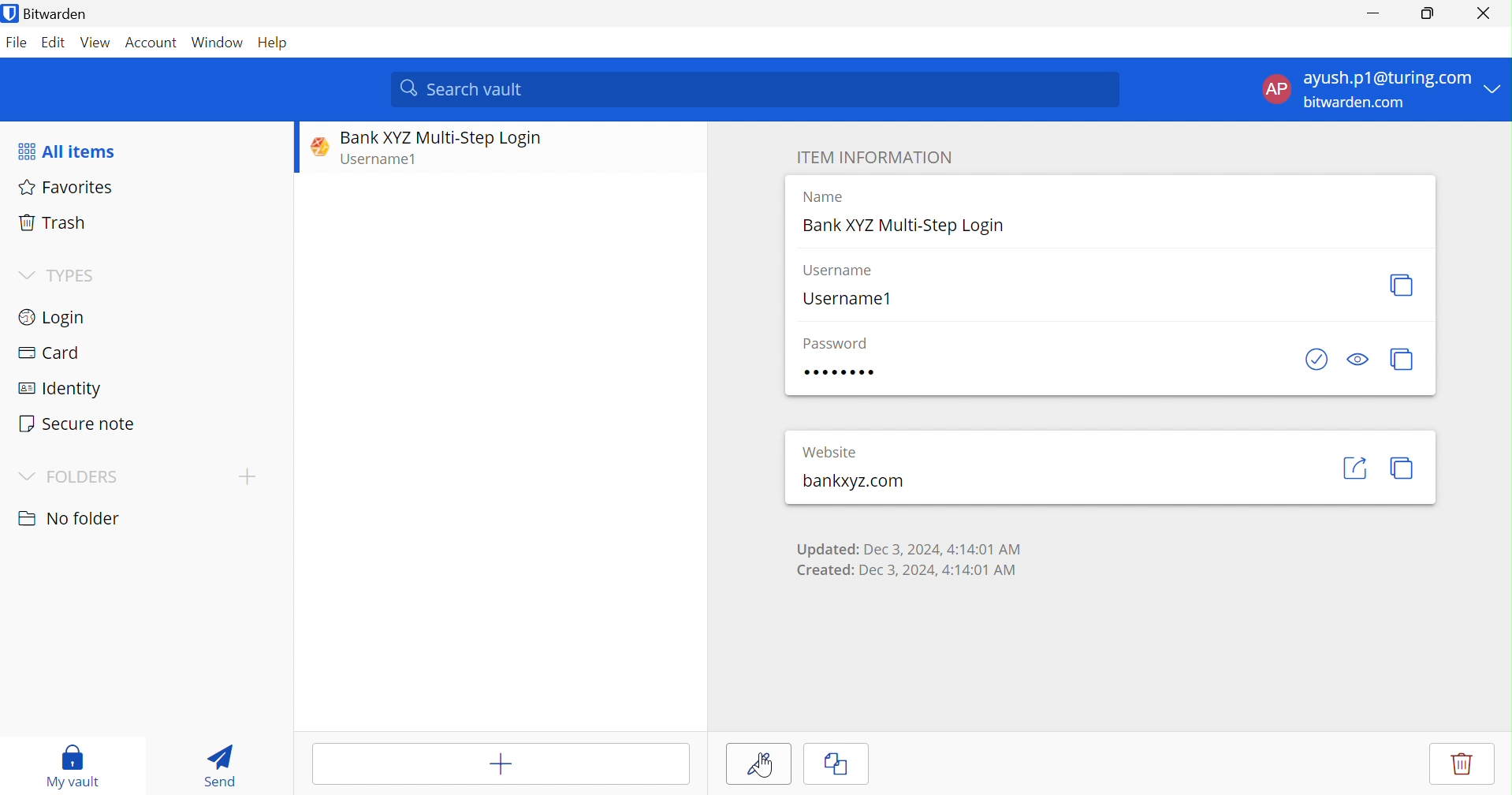  Describe the element at coordinates (25, 274) in the screenshot. I see `Drop Down` at that location.